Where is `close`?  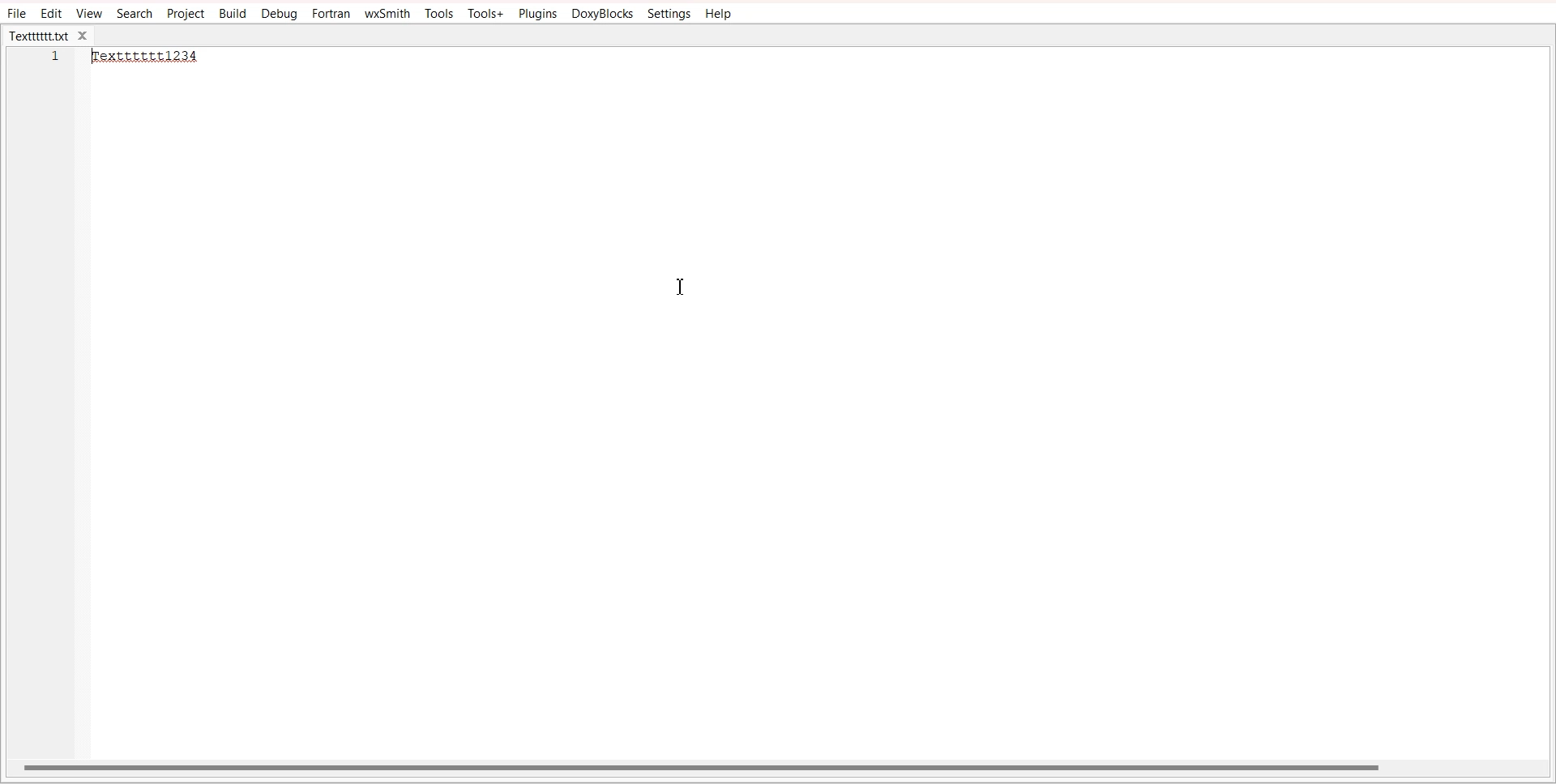
close is located at coordinates (87, 34).